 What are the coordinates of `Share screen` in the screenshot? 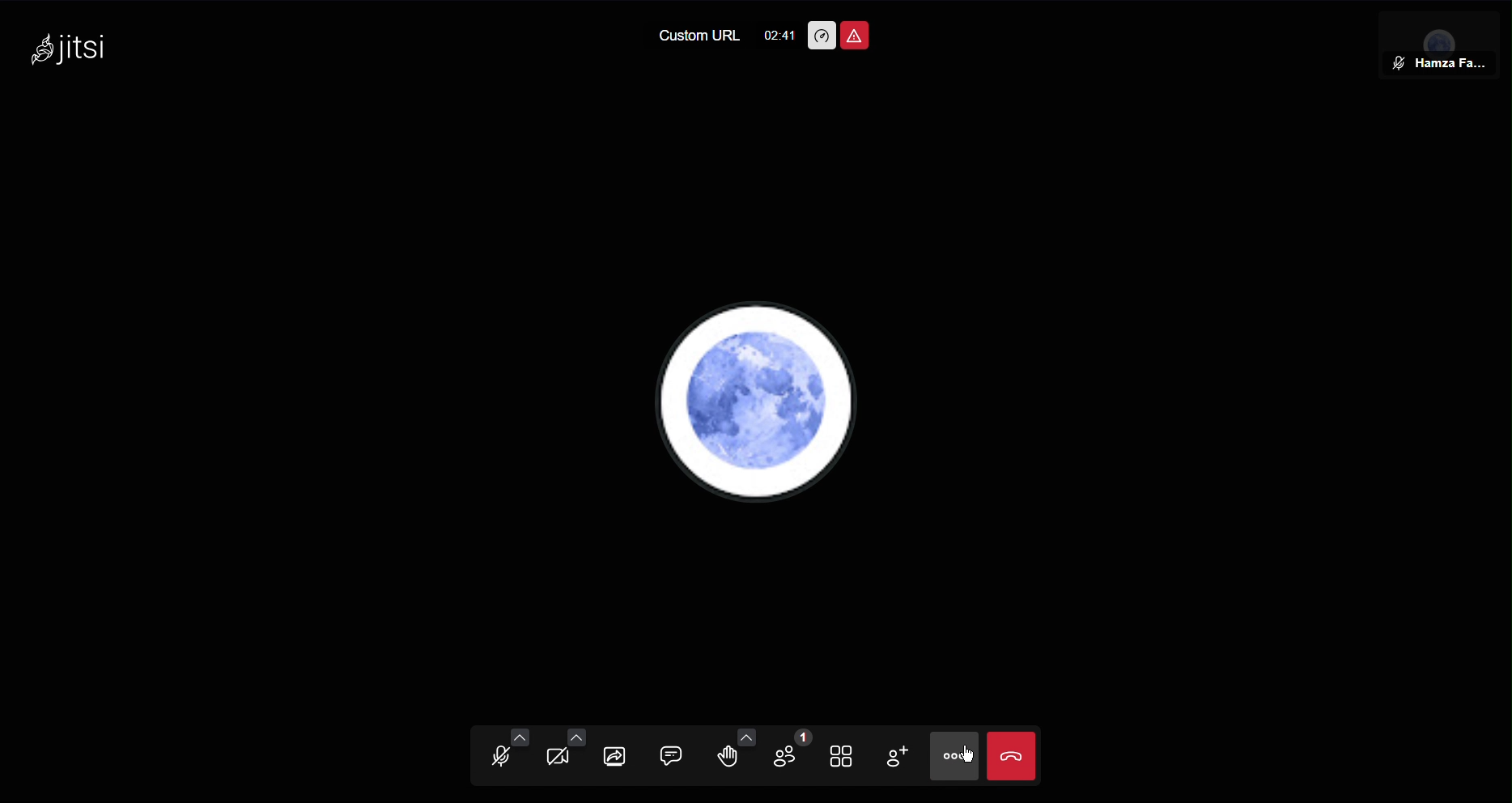 It's located at (614, 755).